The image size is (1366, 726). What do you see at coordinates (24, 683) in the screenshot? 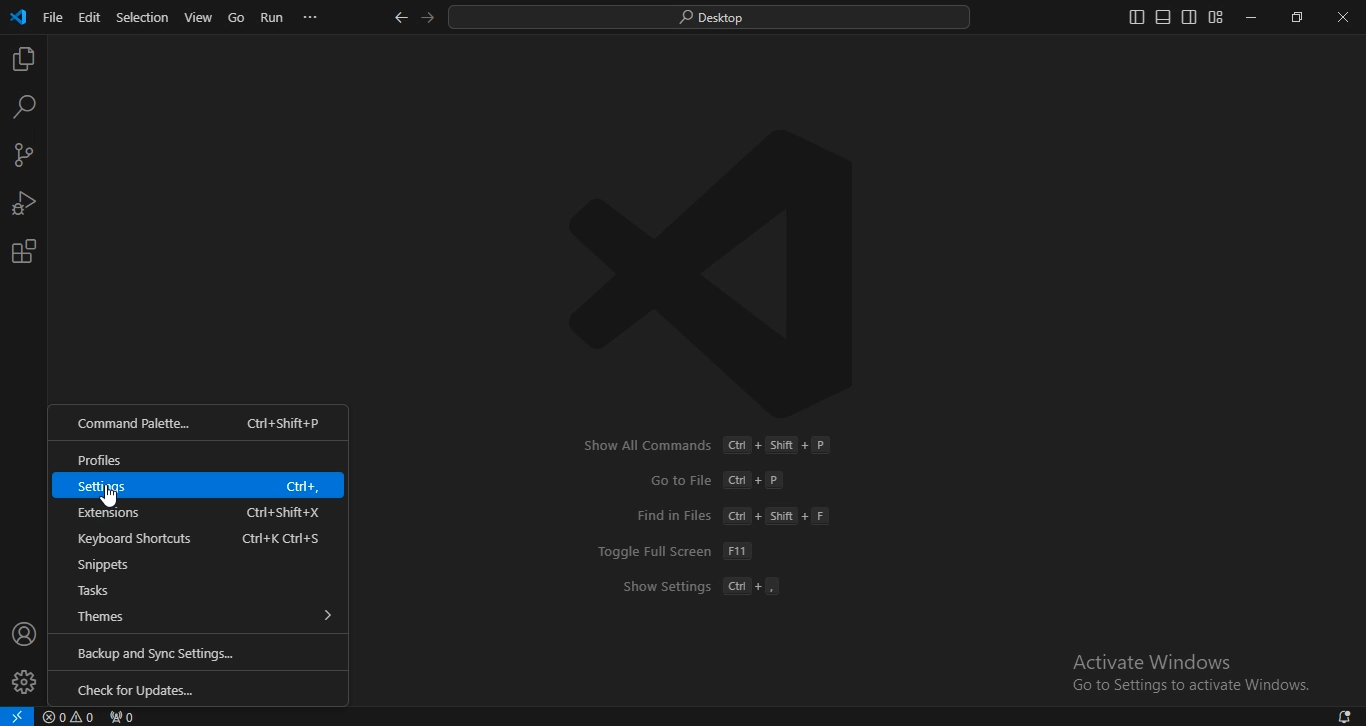
I see `profile` at bounding box center [24, 683].